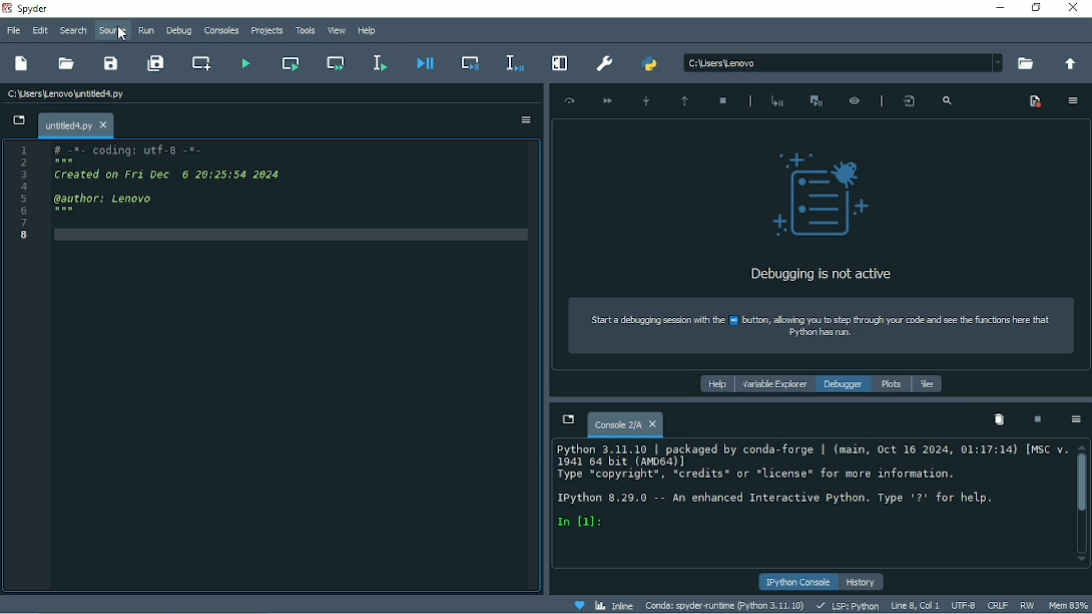 This screenshot has height=614, width=1092. I want to click on File name tab, so click(76, 126).